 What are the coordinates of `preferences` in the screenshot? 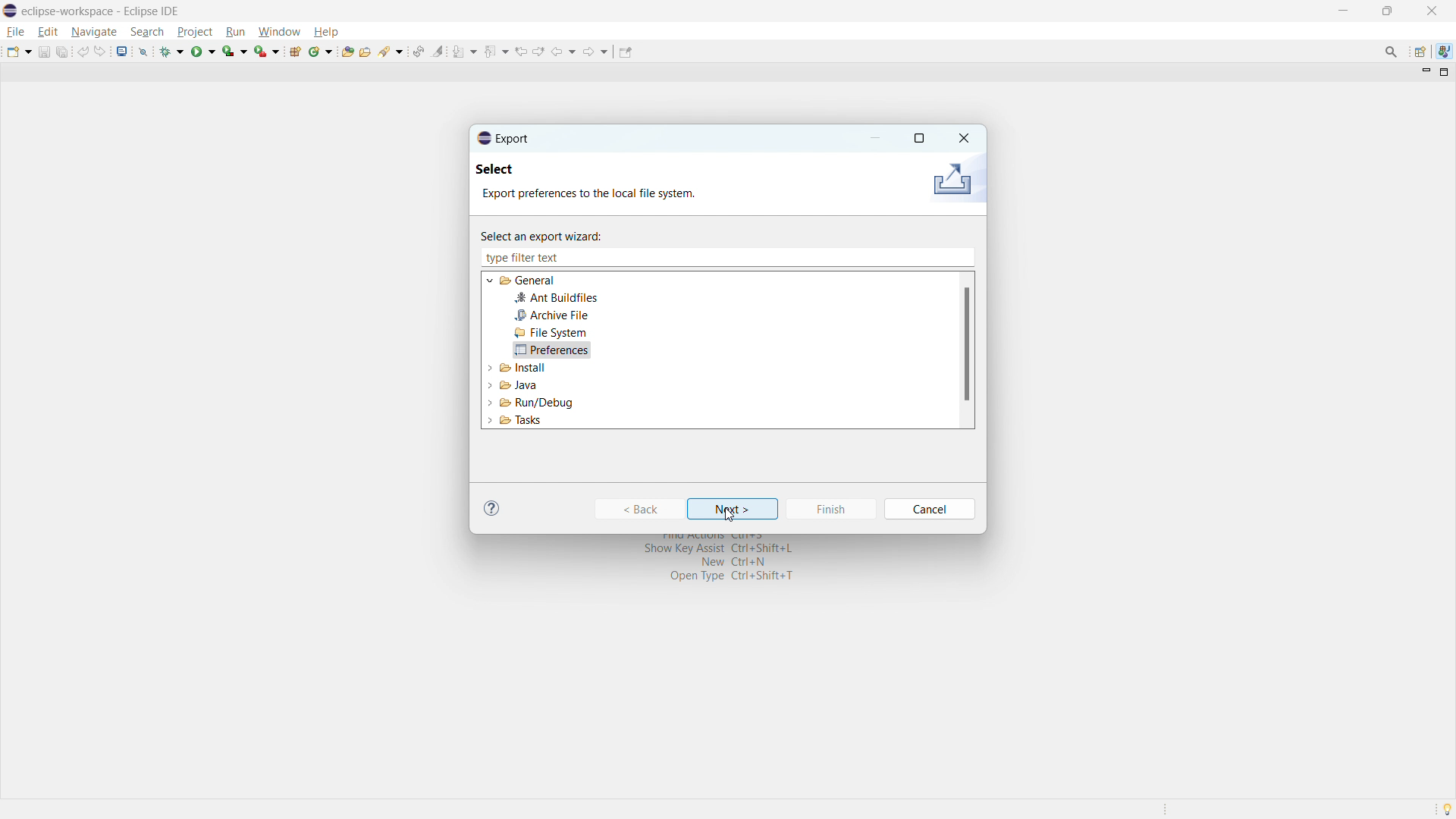 It's located at (551, 350).